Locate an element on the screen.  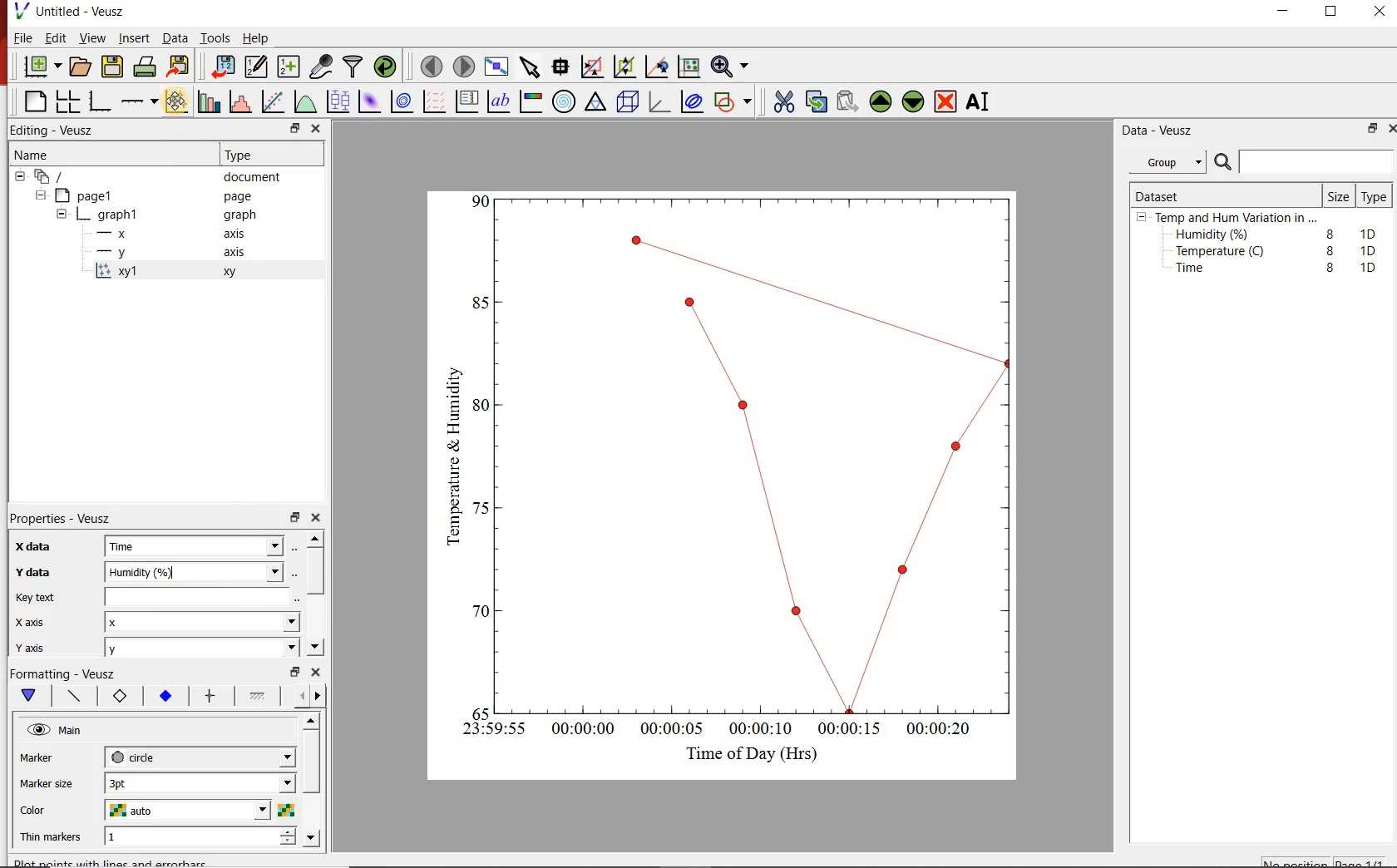
marker border is located at coordinates (121, 698).